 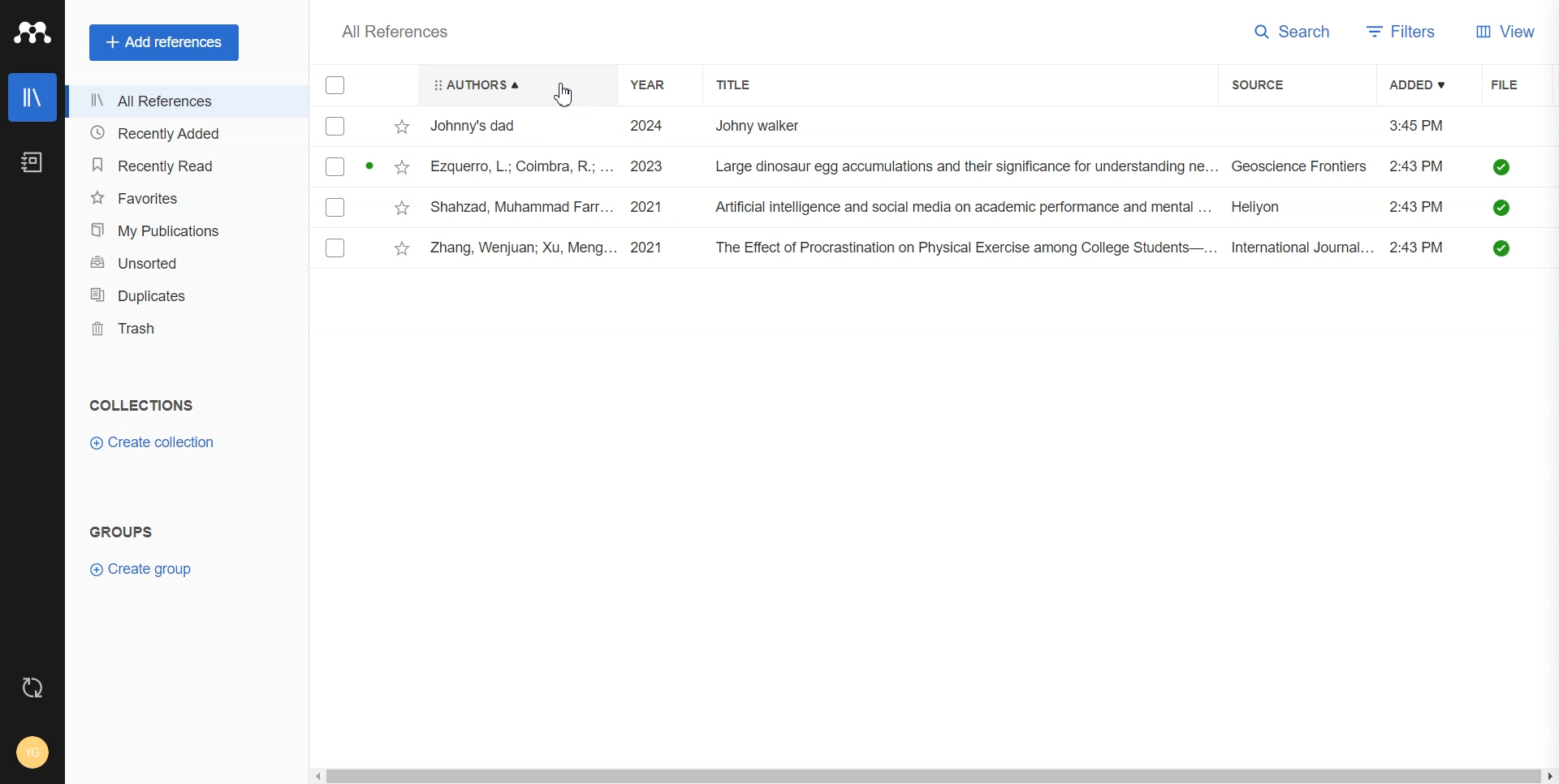 I want to click on Artificial intelligence and social media on academic performance and mental, so click(x=961, y=207).